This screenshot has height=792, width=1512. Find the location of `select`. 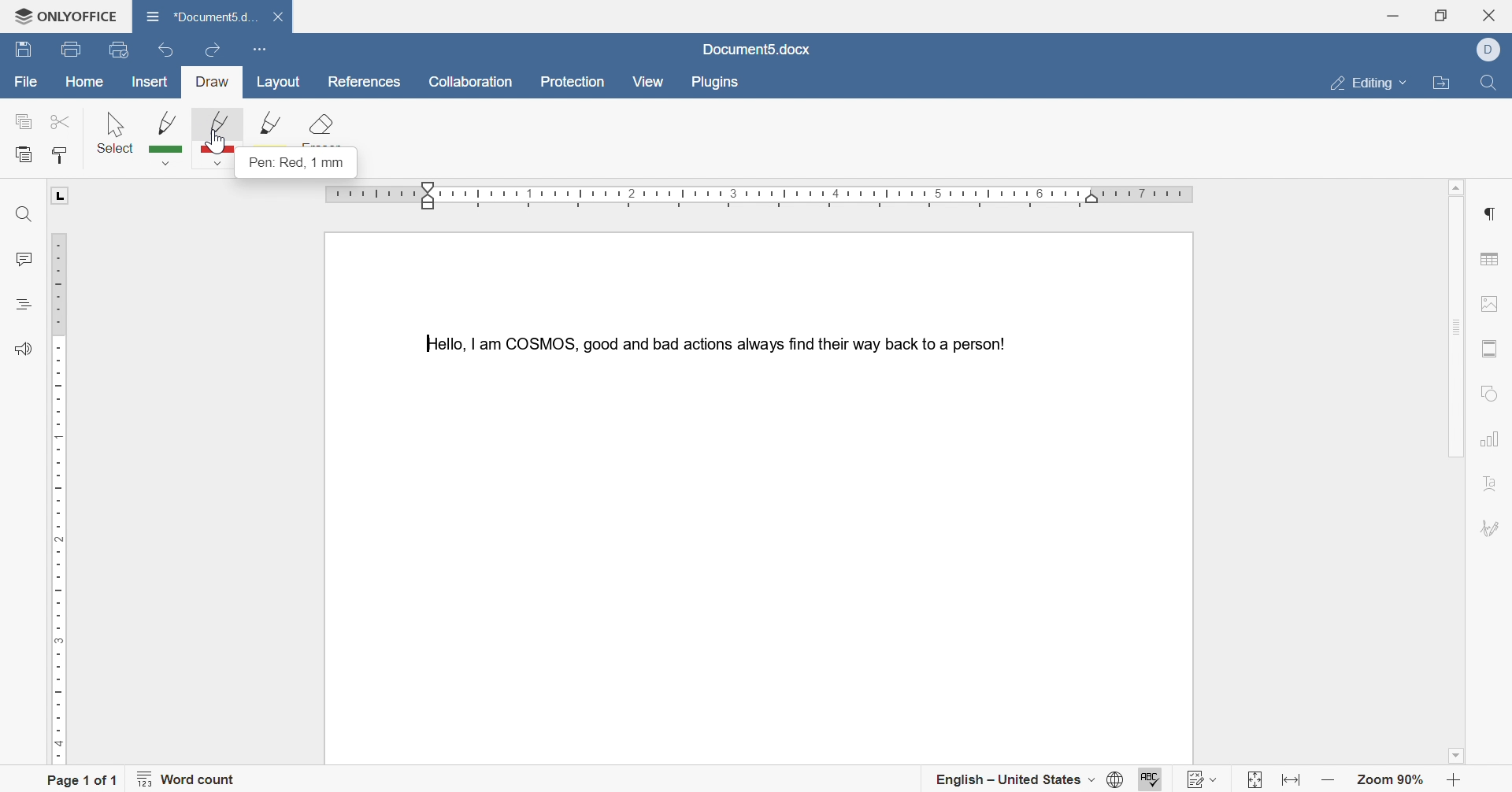

select is located at coordinates (116, 131).